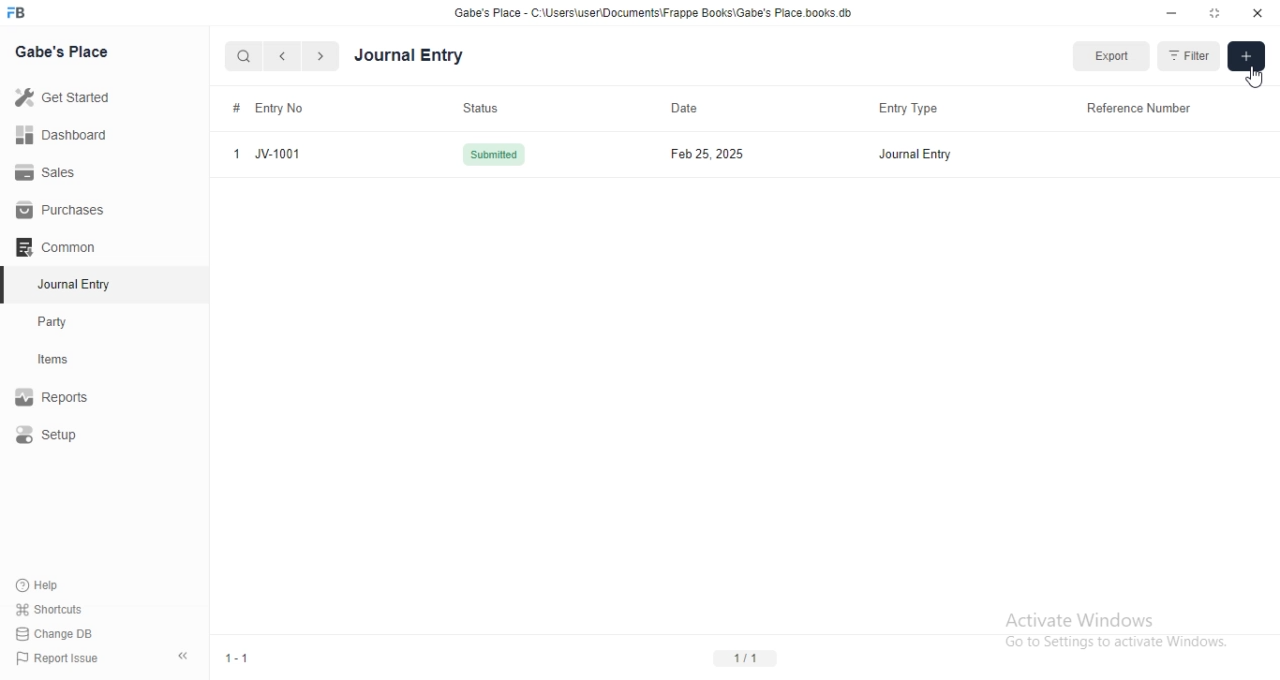 Image resolution: width=1280 pixels, height=680 pixels. What do you see at coordinates (321, 56) in the screenshot?
I see `navigate forward` at bounding box center [321, 56].